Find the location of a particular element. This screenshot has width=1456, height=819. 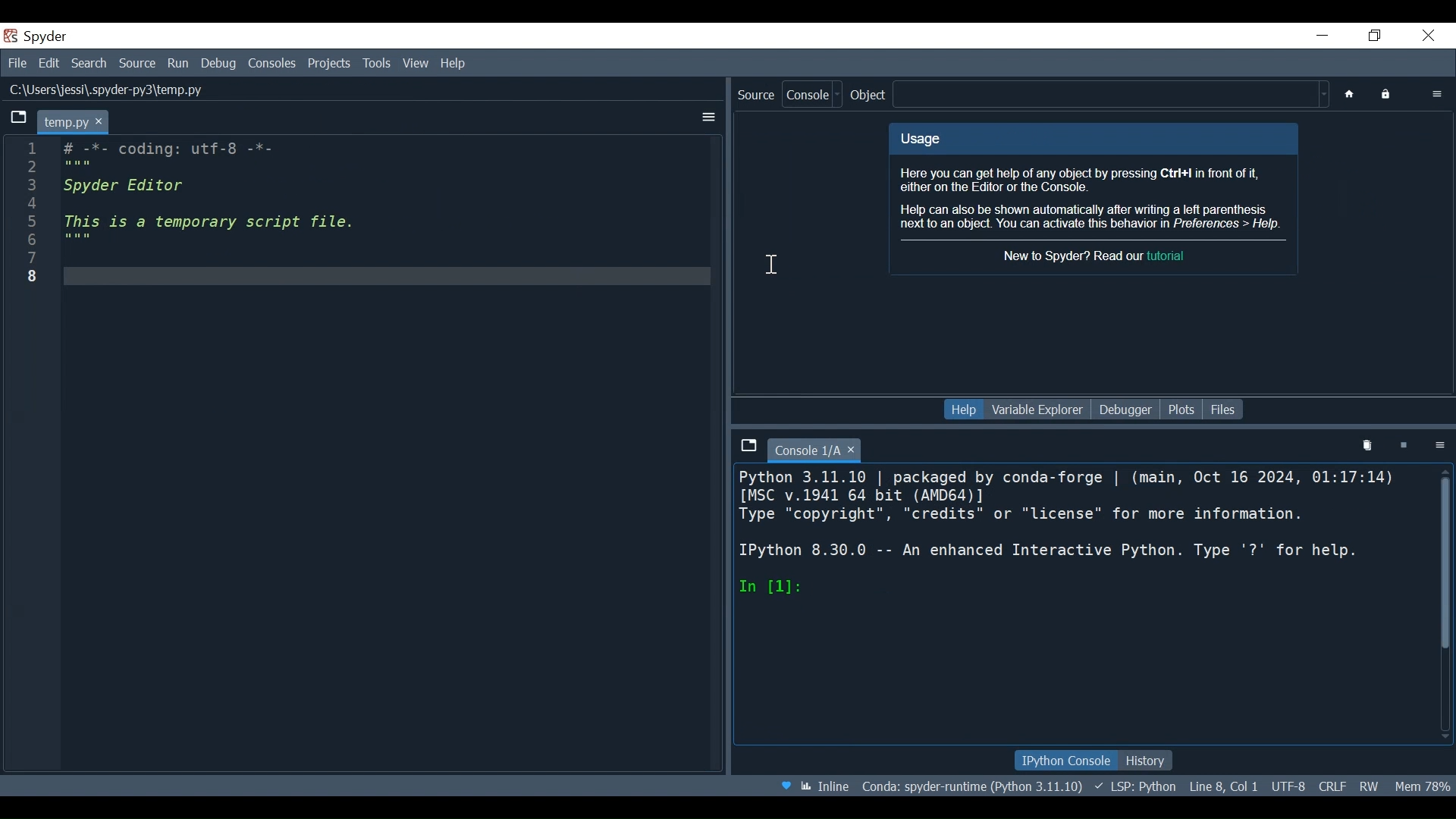

Memory Usage is located at coordinates (1422, 786).